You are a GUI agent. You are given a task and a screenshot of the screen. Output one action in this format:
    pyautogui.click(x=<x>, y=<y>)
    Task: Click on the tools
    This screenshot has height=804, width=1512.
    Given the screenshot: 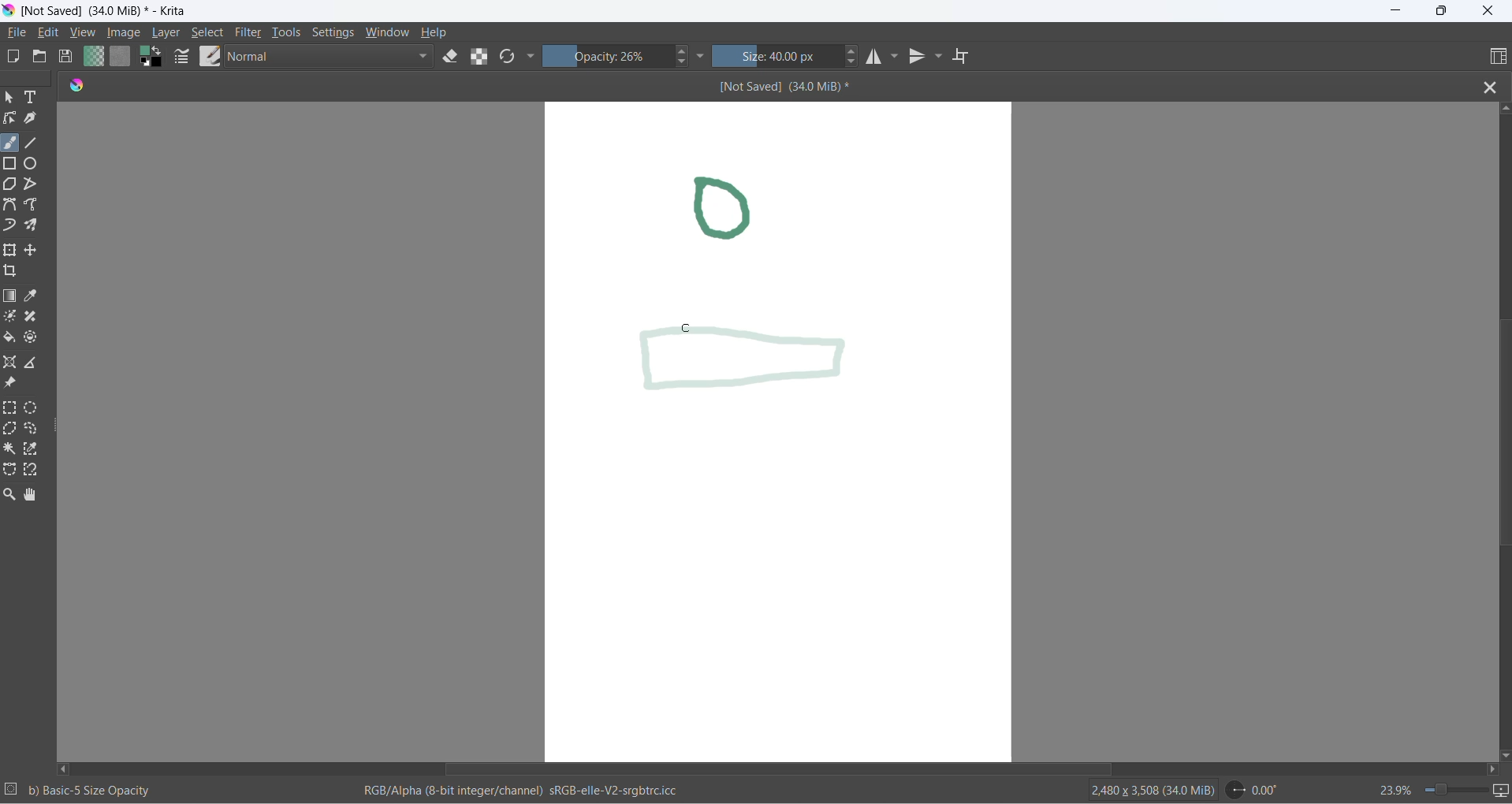 What is the action you would take?
    pyautogui.click(x=288, y=32)
    